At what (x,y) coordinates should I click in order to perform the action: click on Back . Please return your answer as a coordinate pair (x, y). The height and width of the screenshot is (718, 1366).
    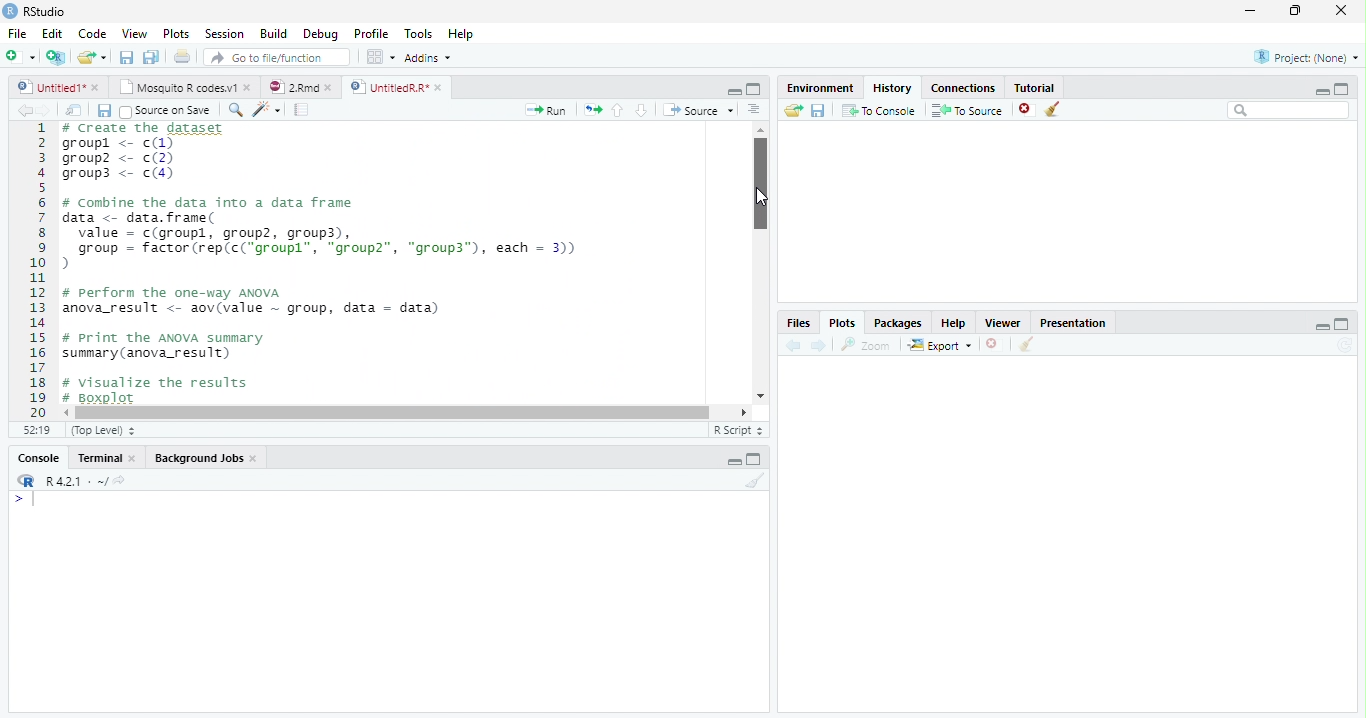
    Looking at the image, I should click on (26, 111).